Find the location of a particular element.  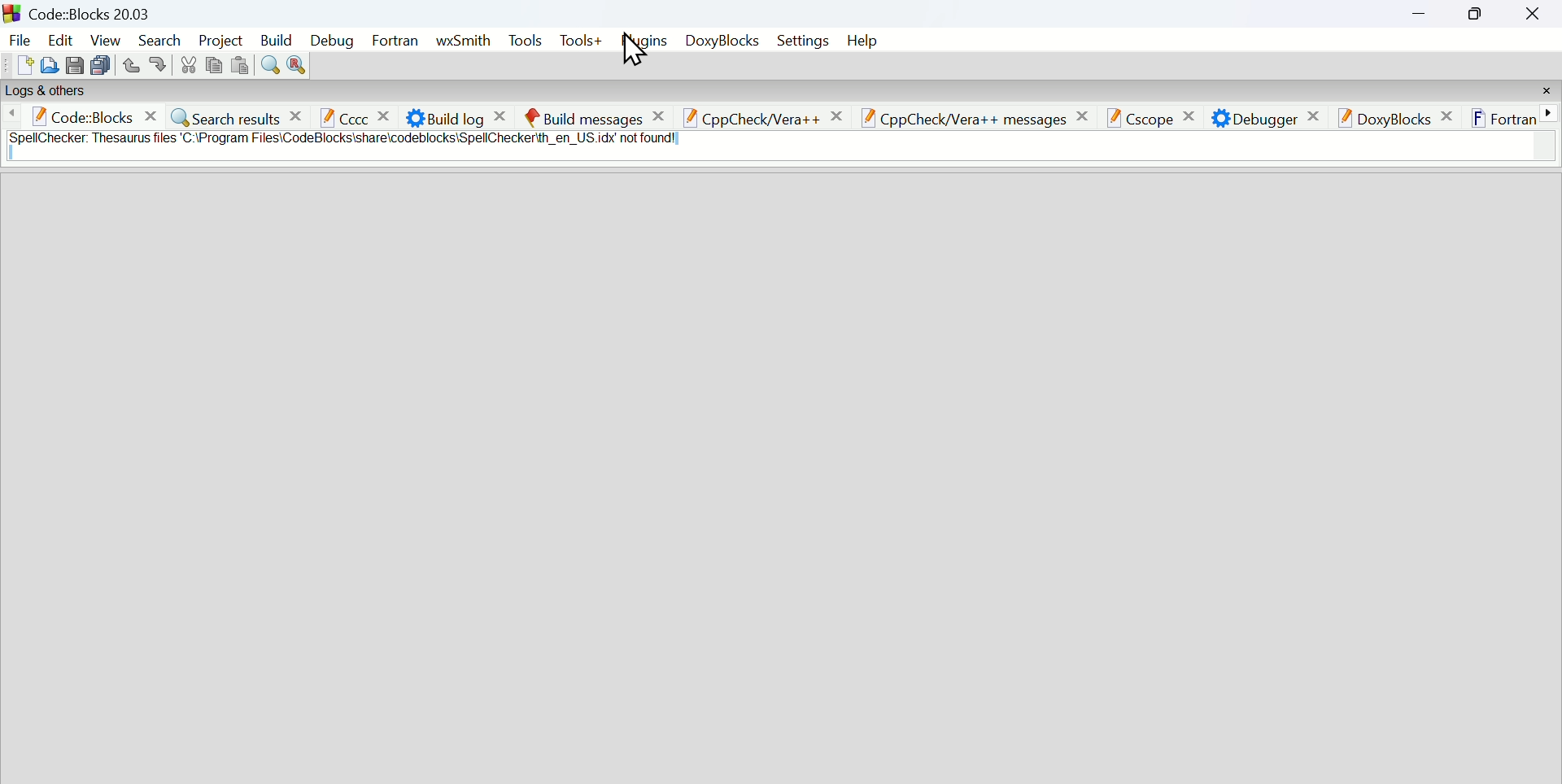

Code Blocks is located at coordinates (97, 116).